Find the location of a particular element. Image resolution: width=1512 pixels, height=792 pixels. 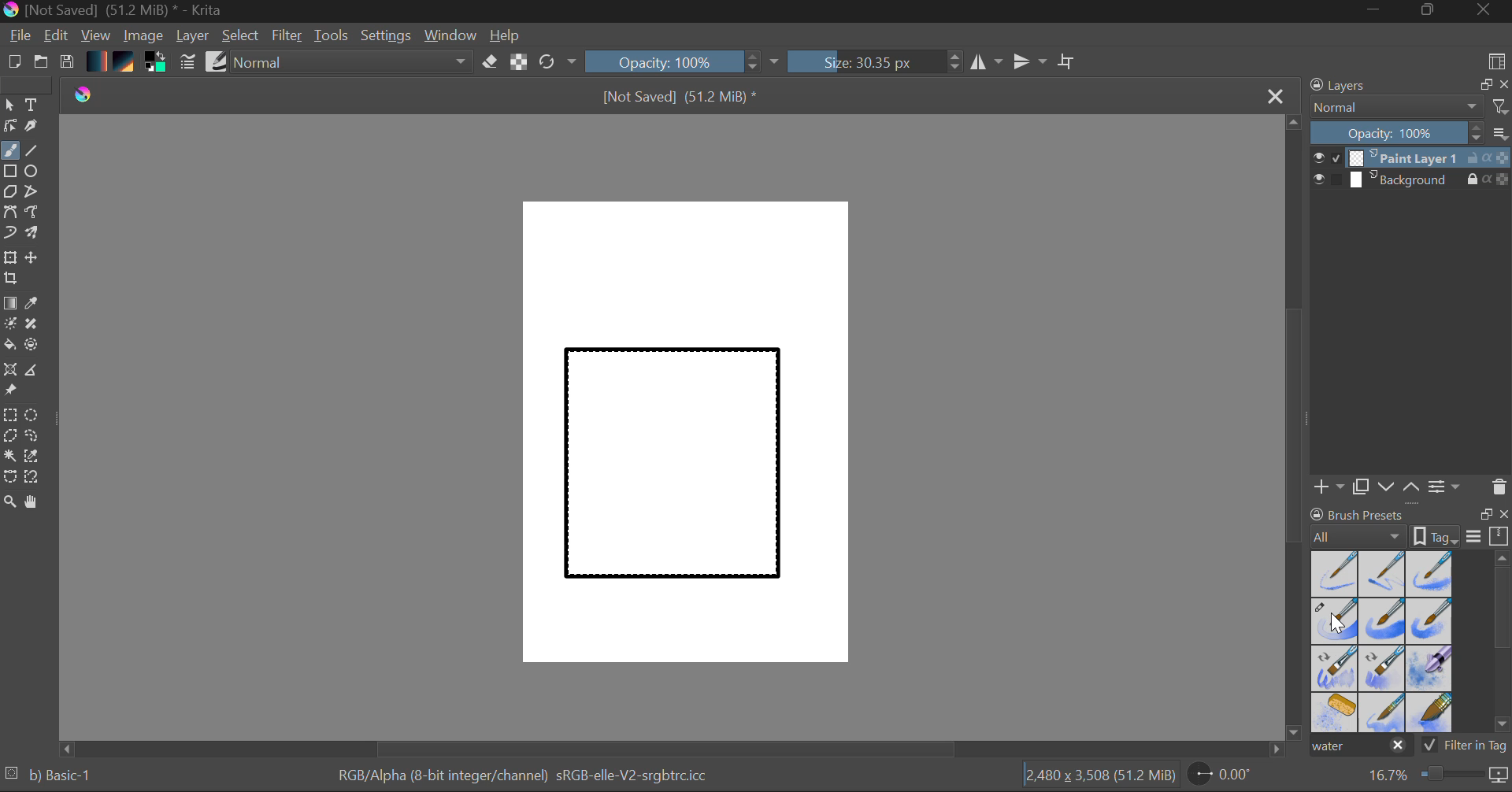

Move Layer Down is located at coordinates (1388, 487).